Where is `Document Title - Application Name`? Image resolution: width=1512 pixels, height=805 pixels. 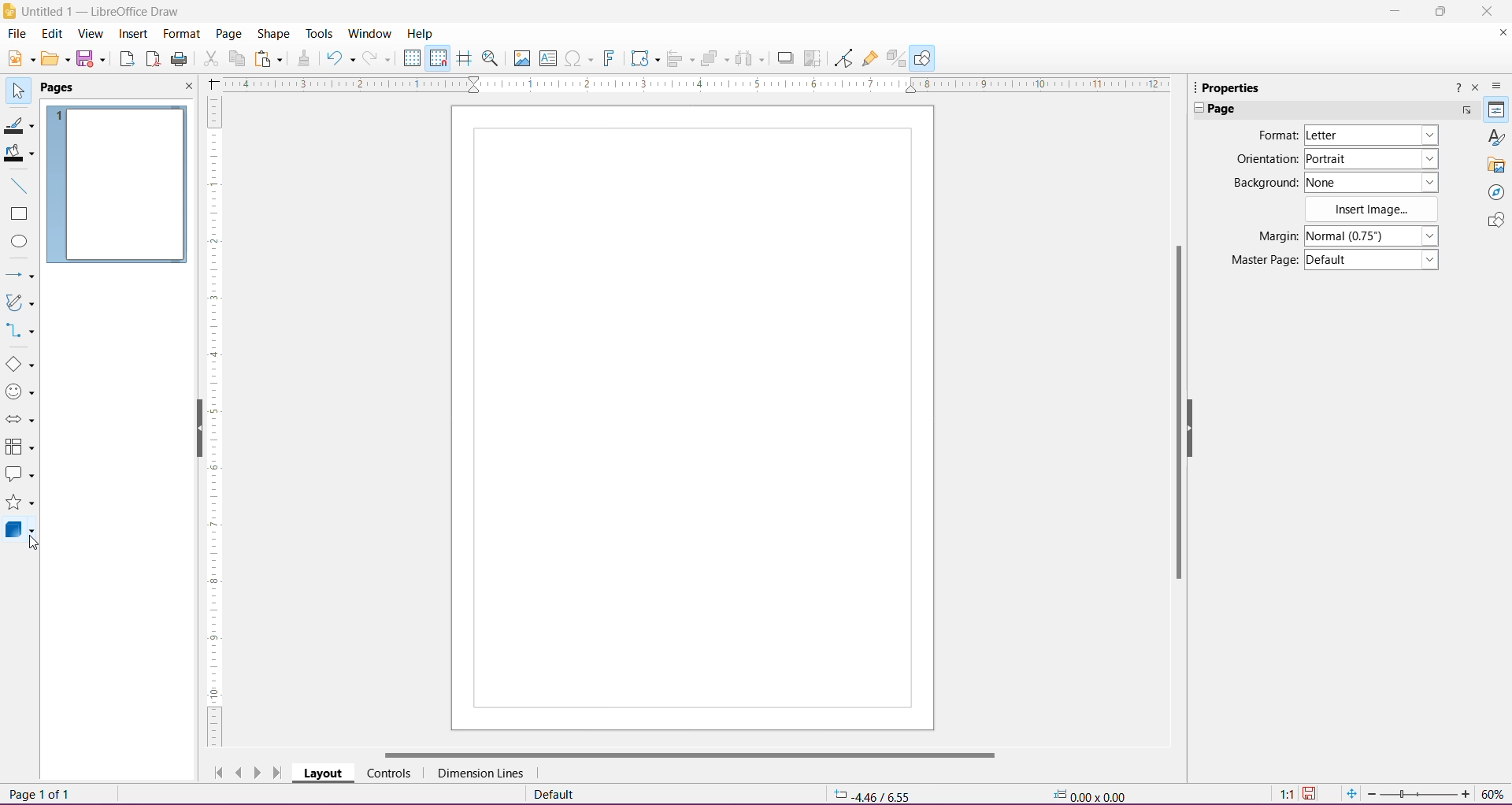 Document Title - Application Name is located at coordinates (94, 11).